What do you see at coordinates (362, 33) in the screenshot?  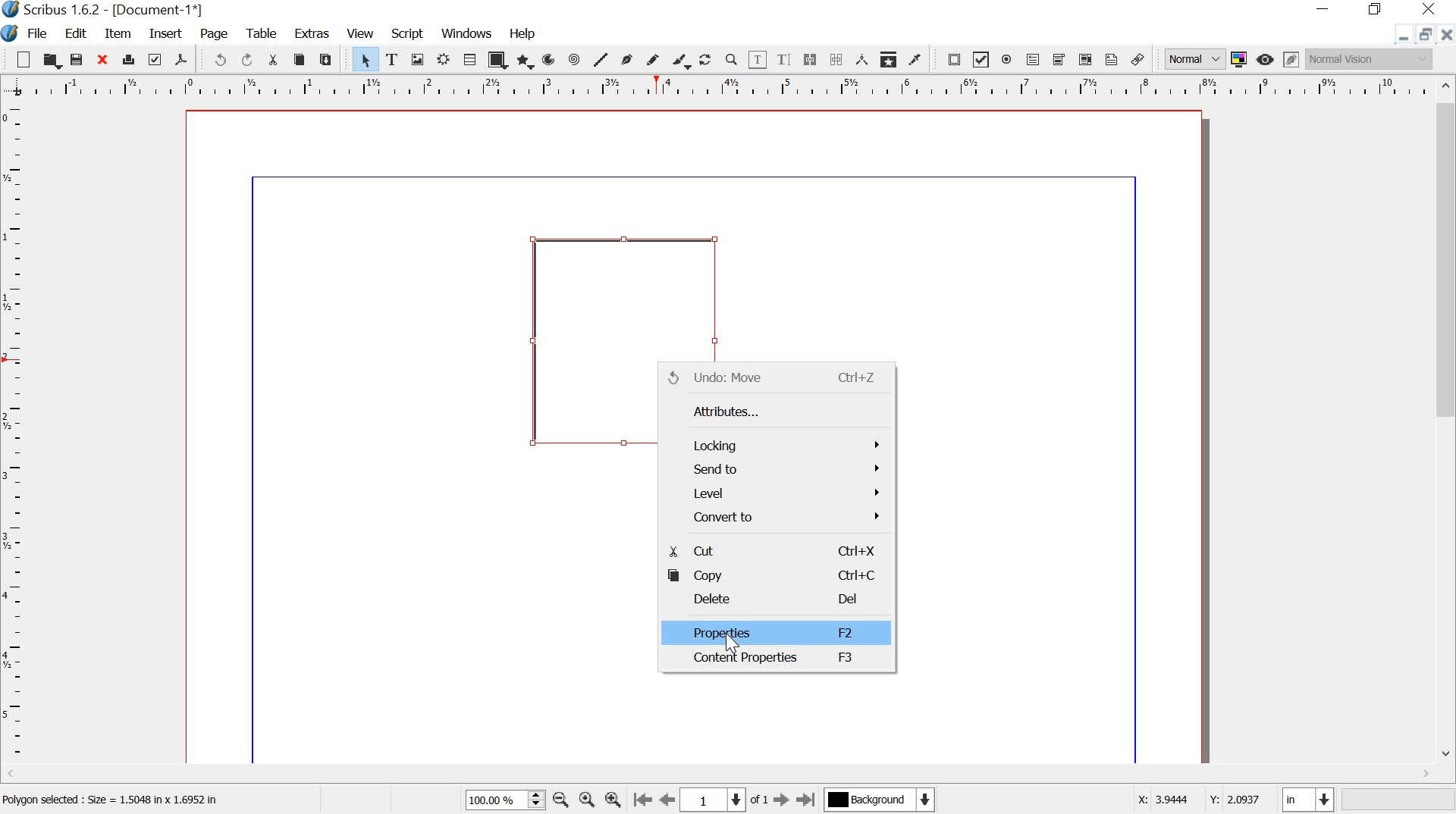 I see `view` at bounding box center [362, 33].